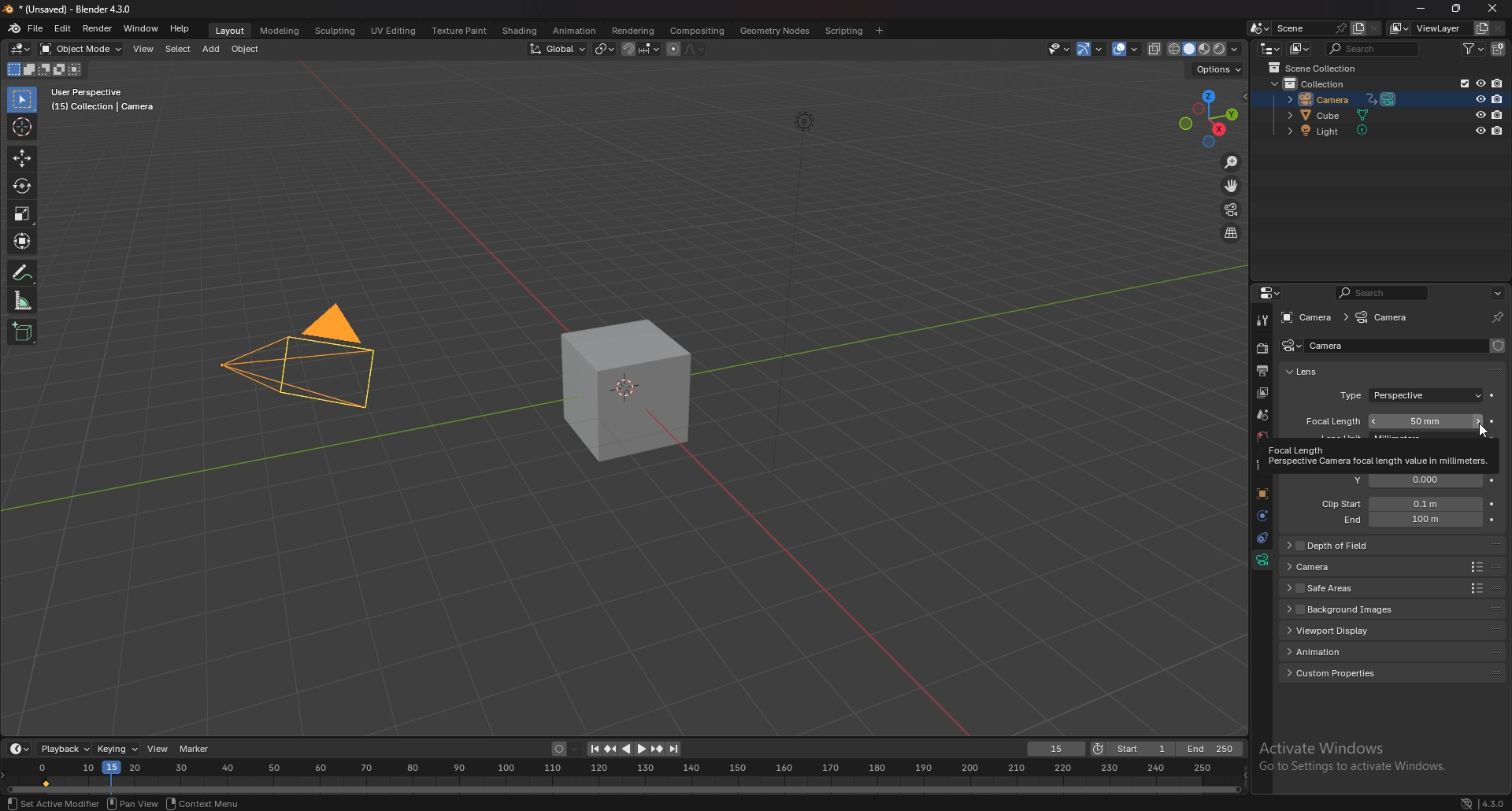 The width and height of the screenshot is (1512, 811). I want to click on add collection, so click(1499, 48).